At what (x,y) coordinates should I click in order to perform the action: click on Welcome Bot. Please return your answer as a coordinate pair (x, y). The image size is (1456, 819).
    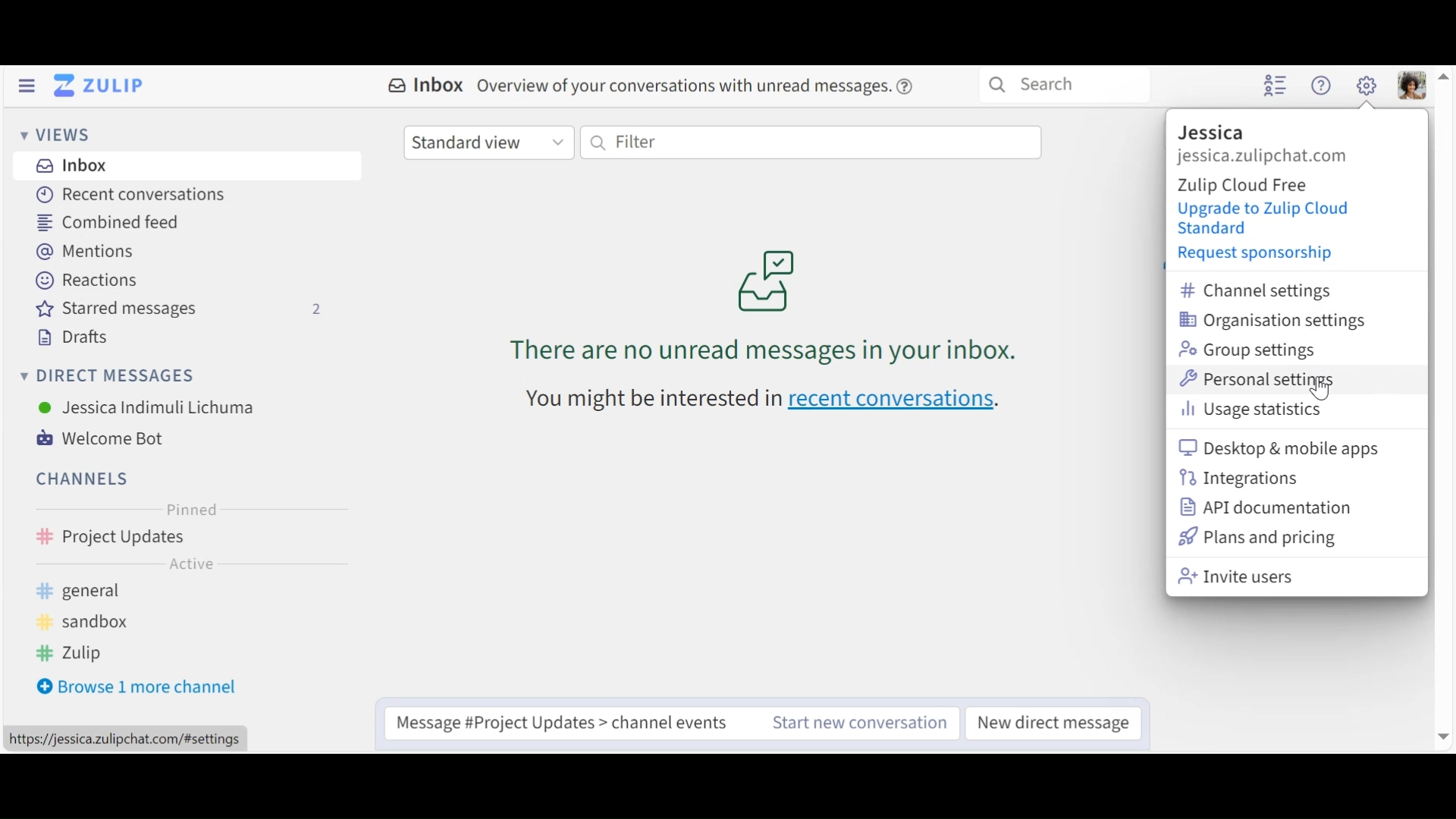
    Looking at the image, I should click on (99, 437).